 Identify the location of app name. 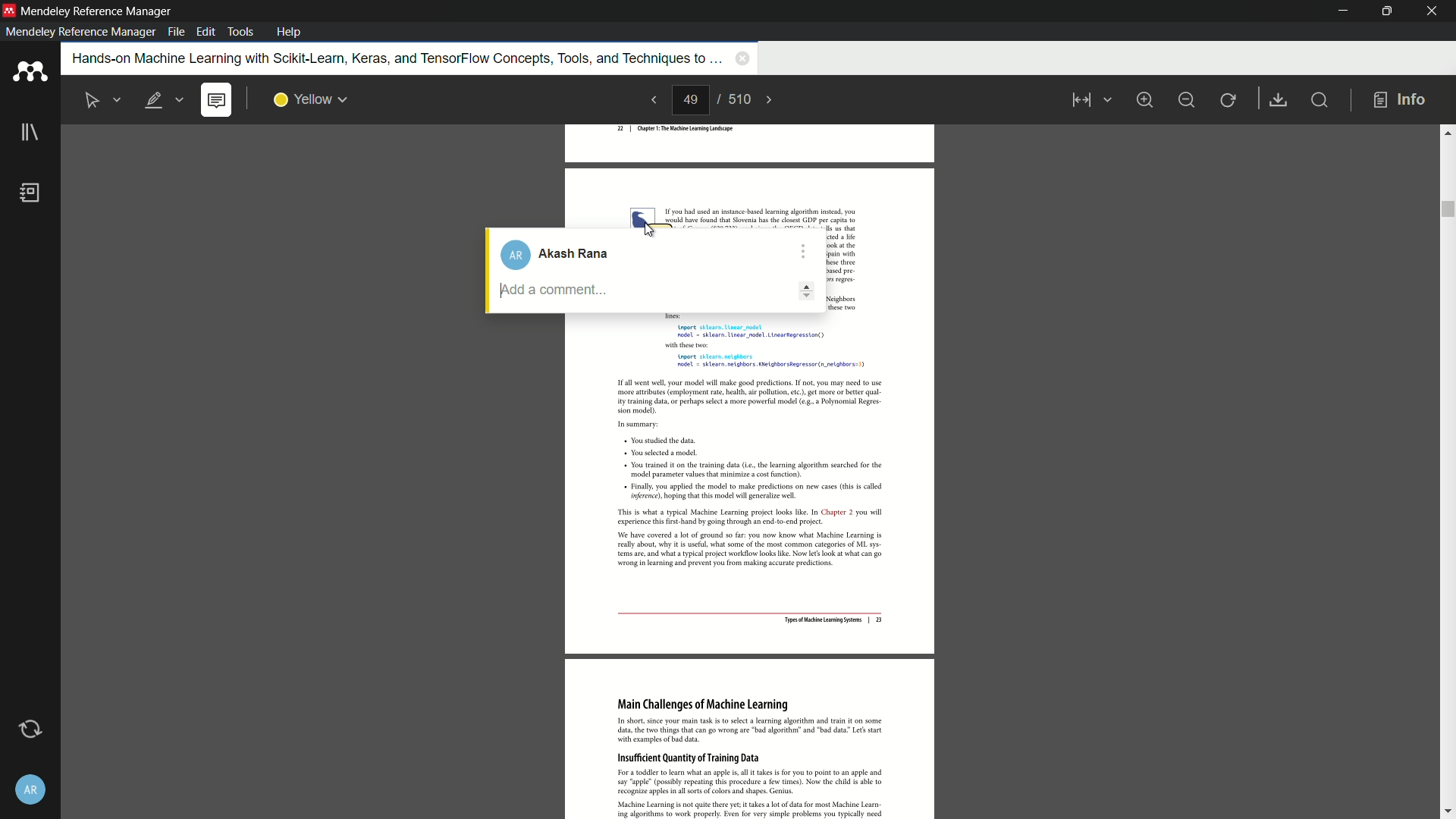
(97, 11).